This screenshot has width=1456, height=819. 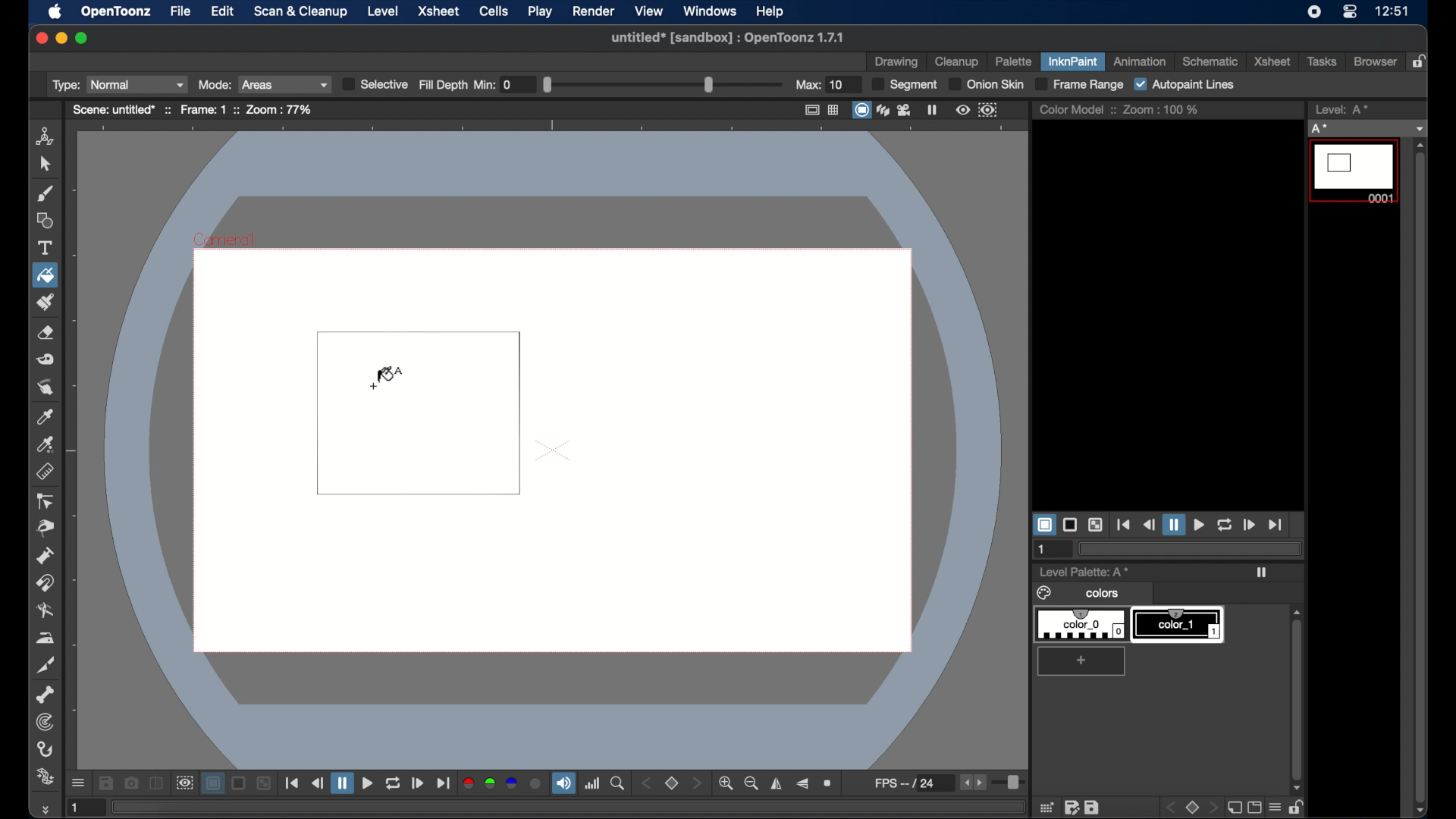 What do you see at coordinates (117, 12) in the screenshot?
I see `opentoonz` at bounding box center [117, 12].